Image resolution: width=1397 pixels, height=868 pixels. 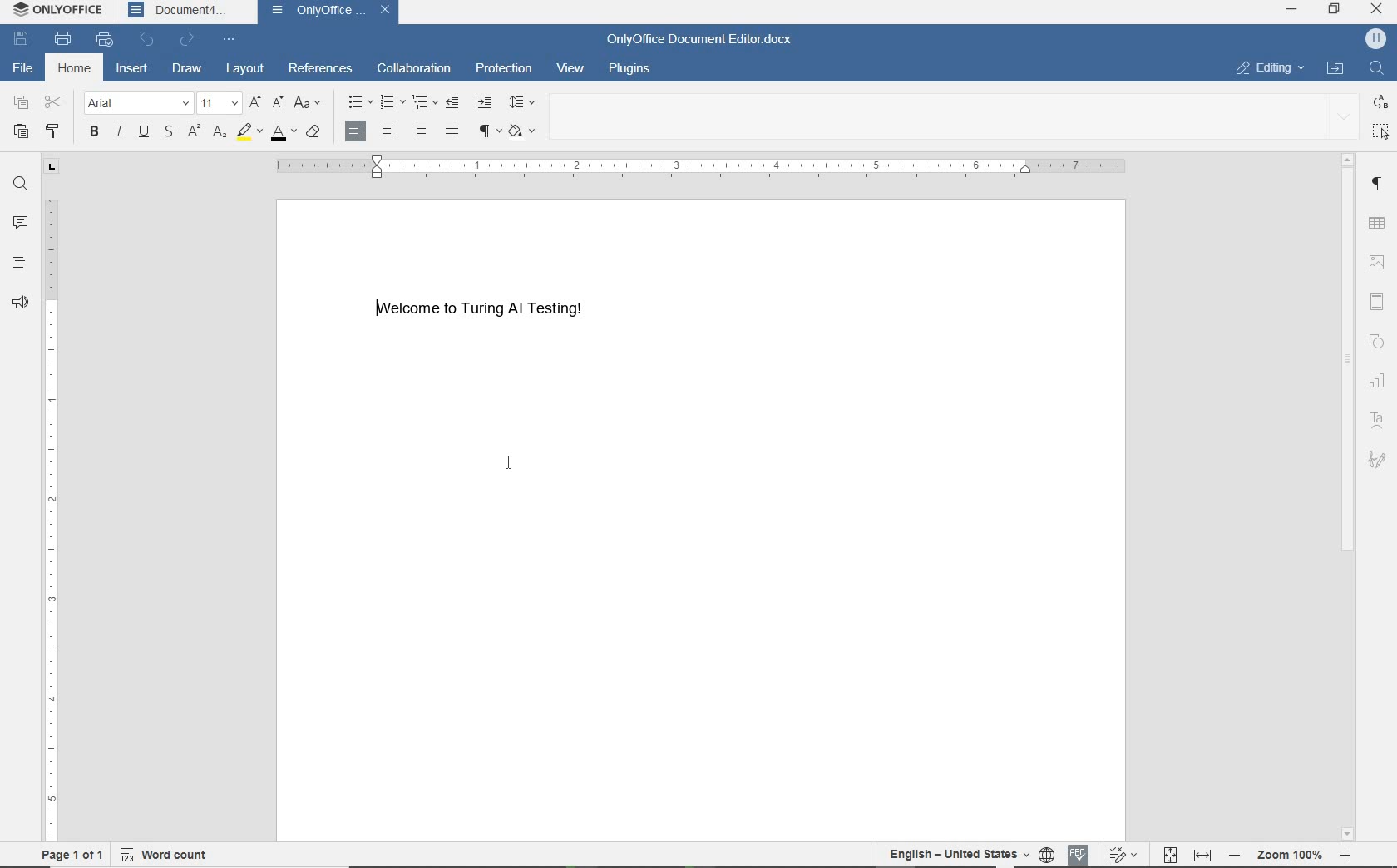 What do you see at coordinates (74, 70) in the screenshot?
I see `home` at bounding box center [74, 70].